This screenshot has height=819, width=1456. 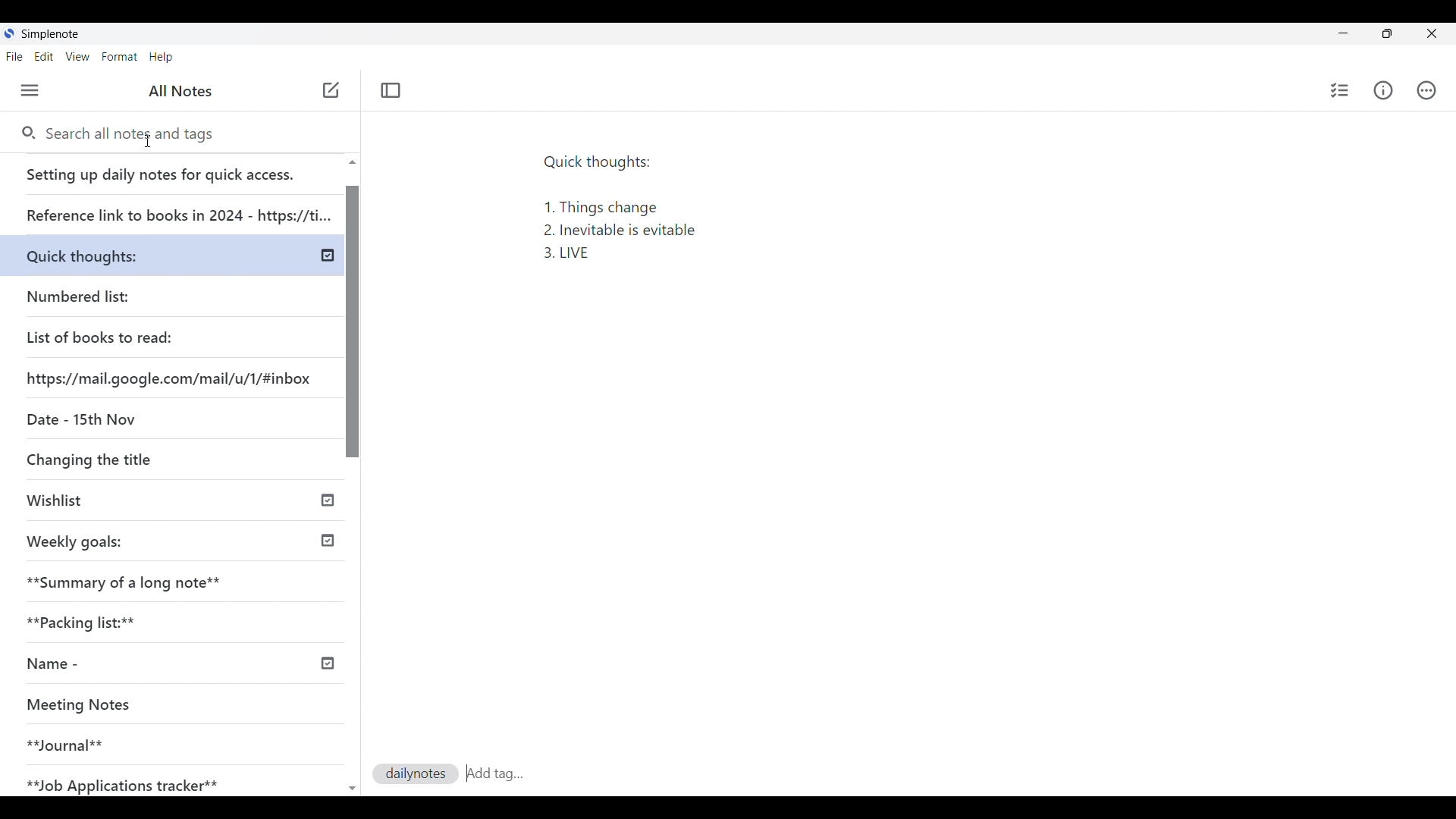 I want to click on List of books, so click(x=101, y=335).